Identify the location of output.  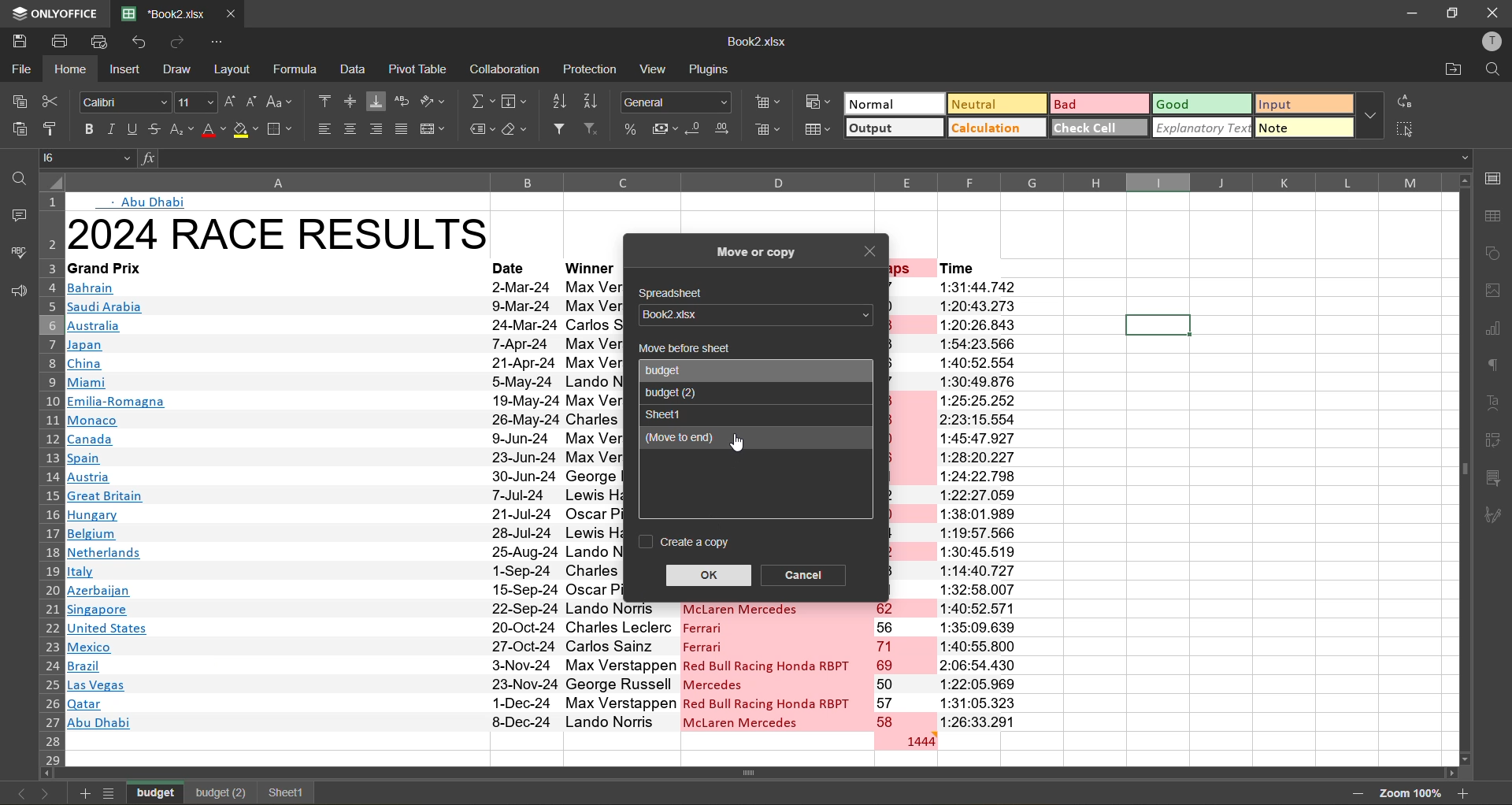
(894, 129).